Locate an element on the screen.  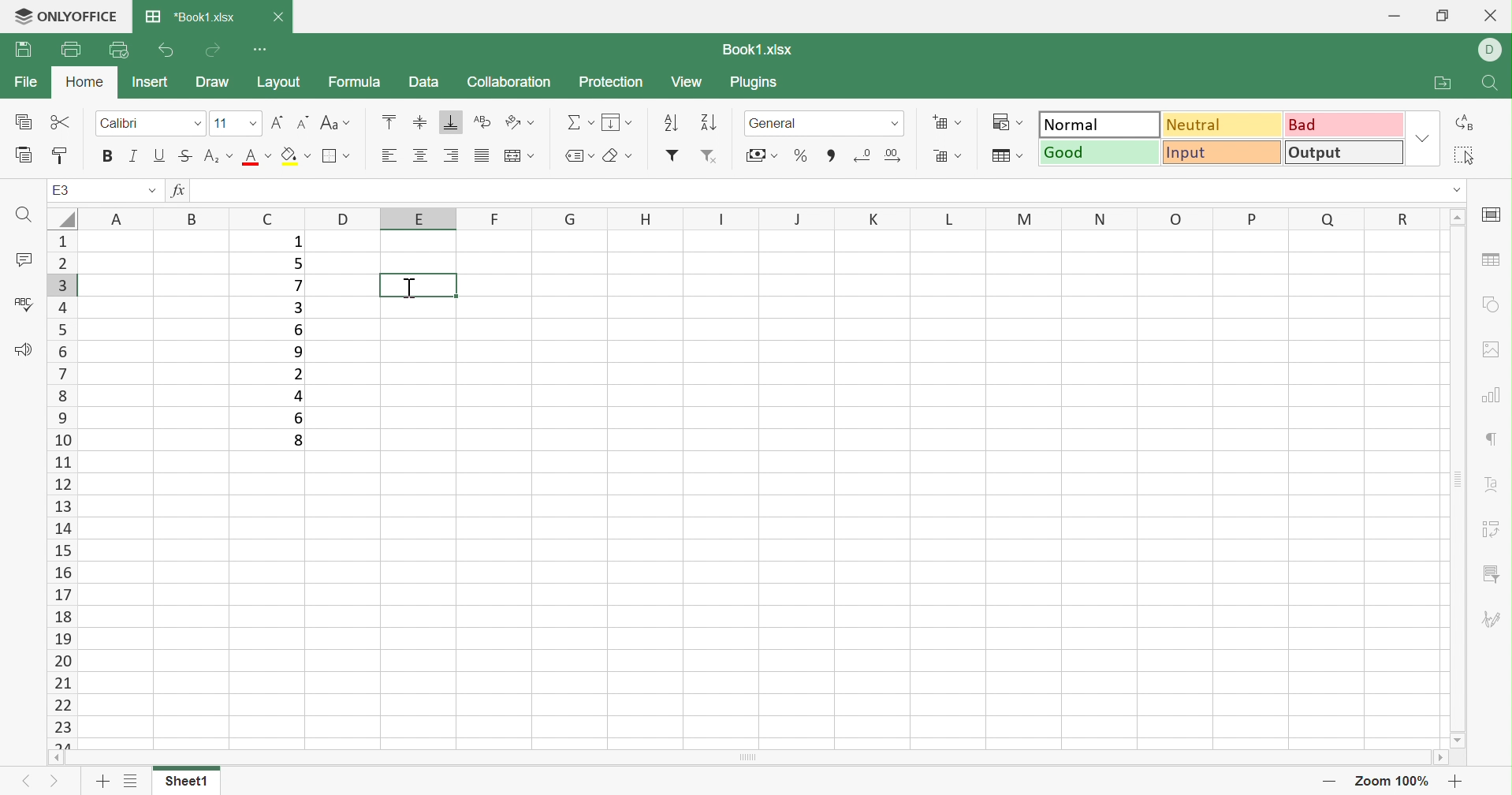
Formula is located at coordinates (360, 83).